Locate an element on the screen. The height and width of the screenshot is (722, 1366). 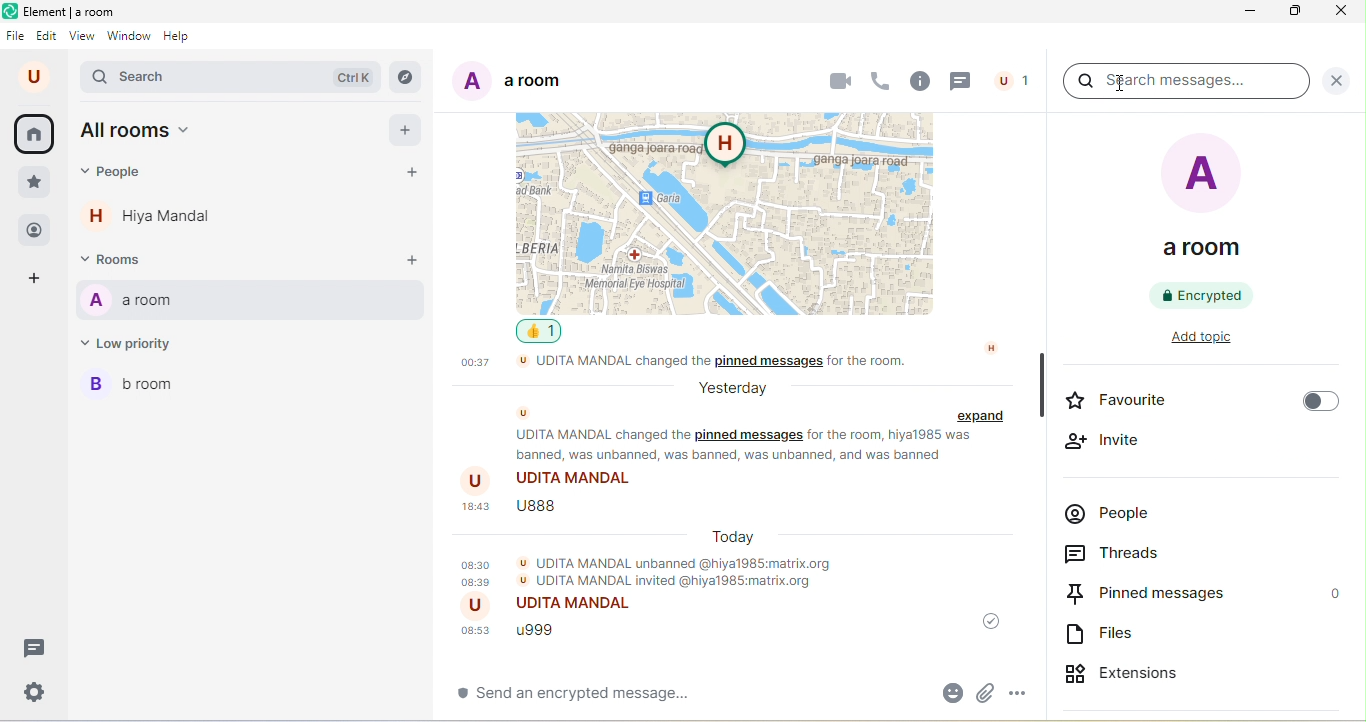
all rooms is located at coordinates (141, 133).